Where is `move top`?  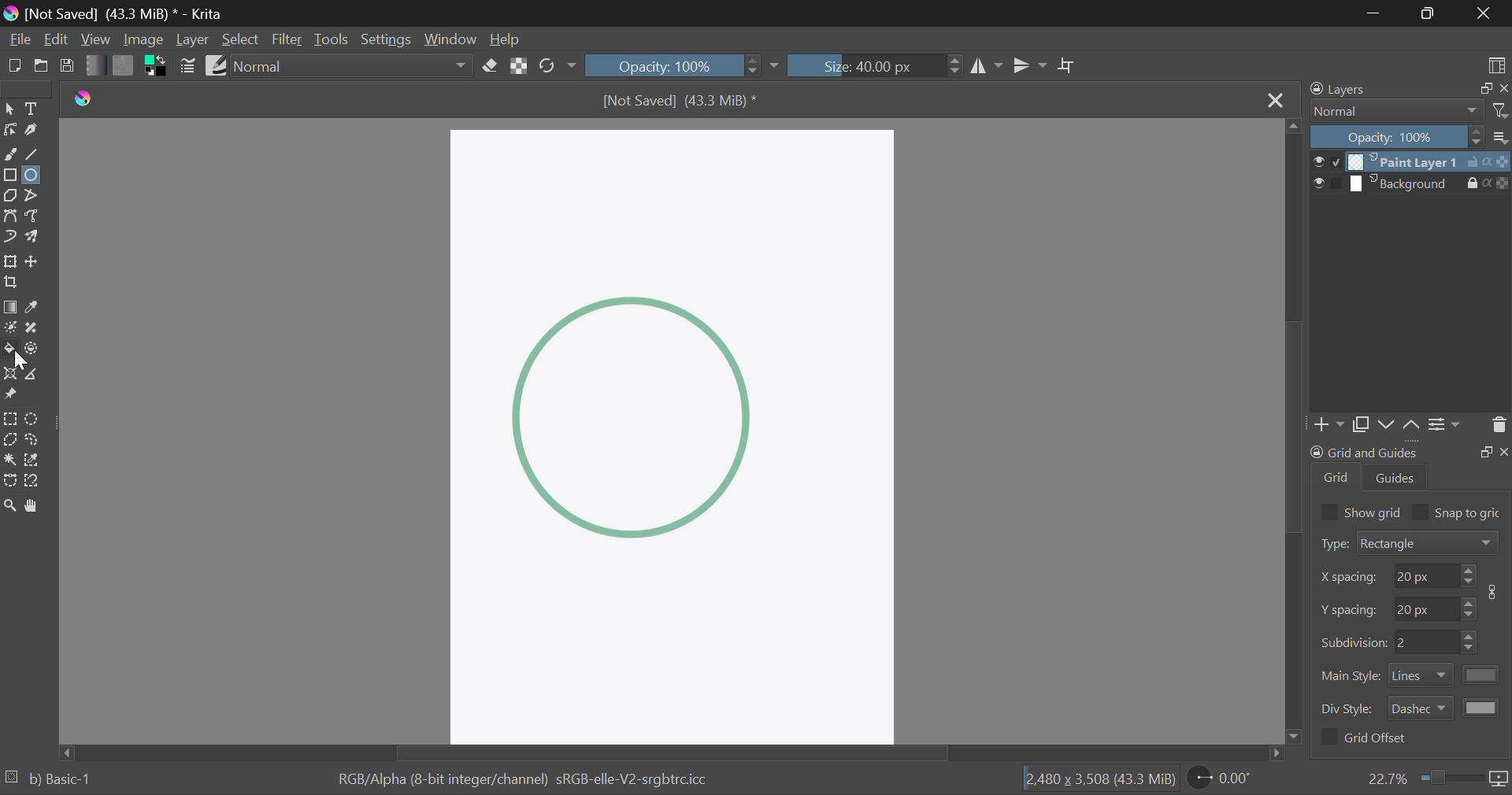 move top is located at coordinates (1296, 128).